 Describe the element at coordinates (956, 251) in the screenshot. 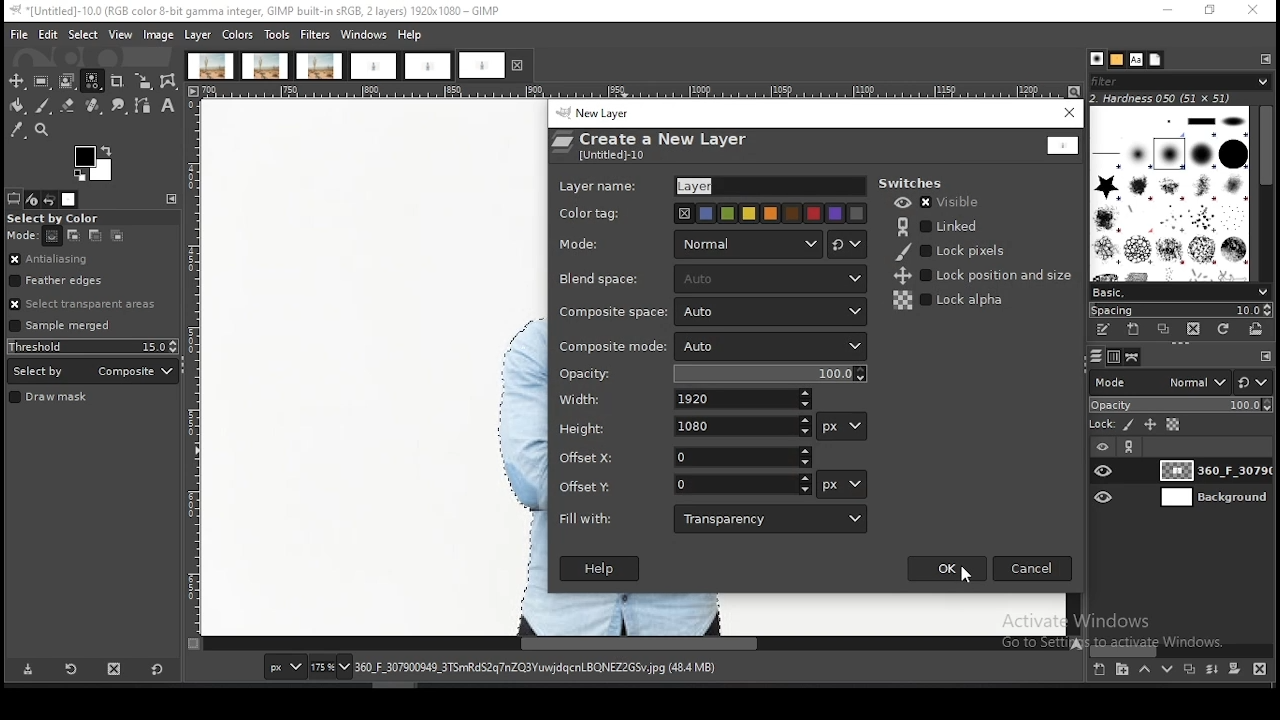

I see `lock pixels` at that location.